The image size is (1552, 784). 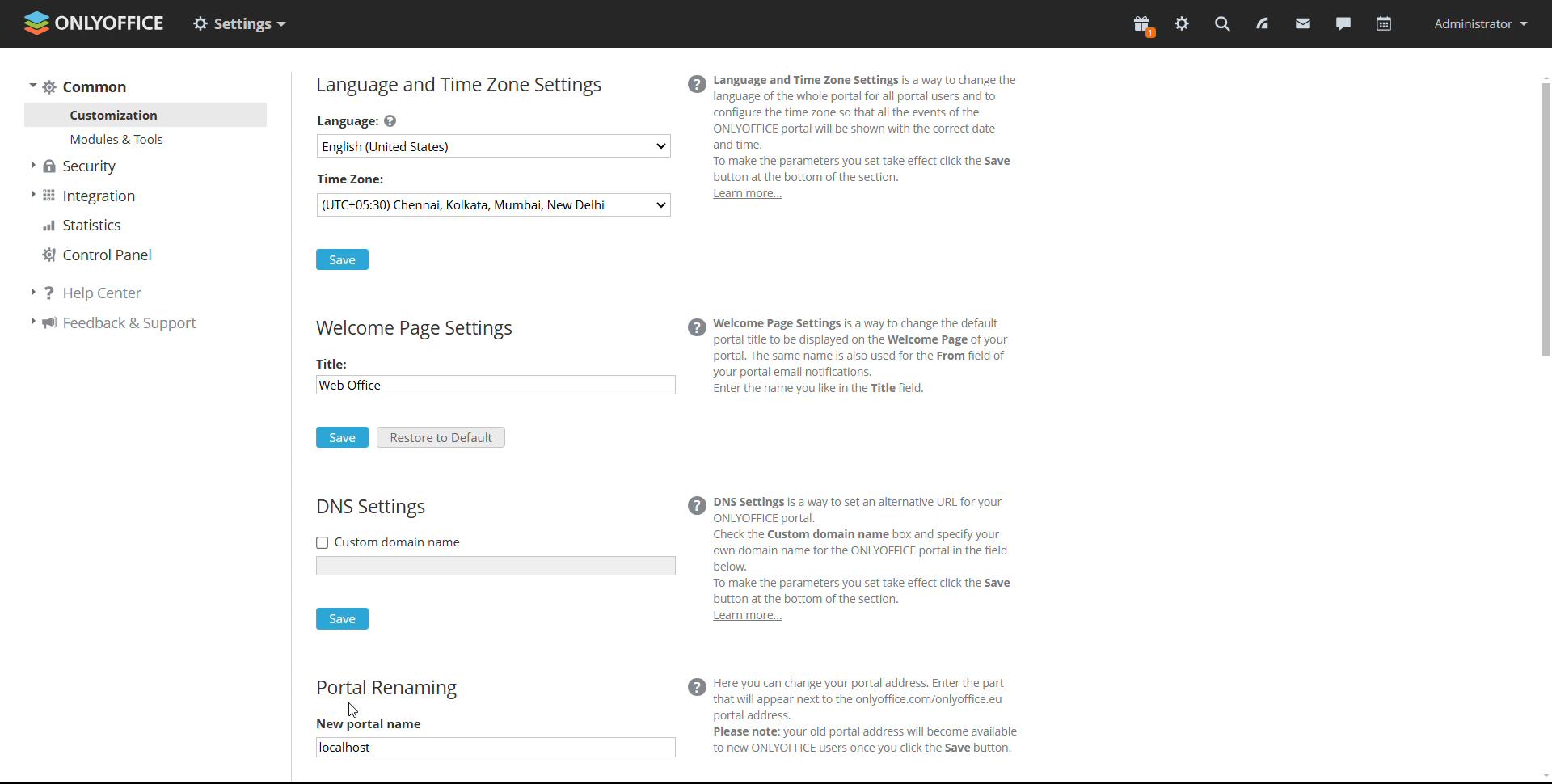 I want to click on save, so click(x=342, y=619).